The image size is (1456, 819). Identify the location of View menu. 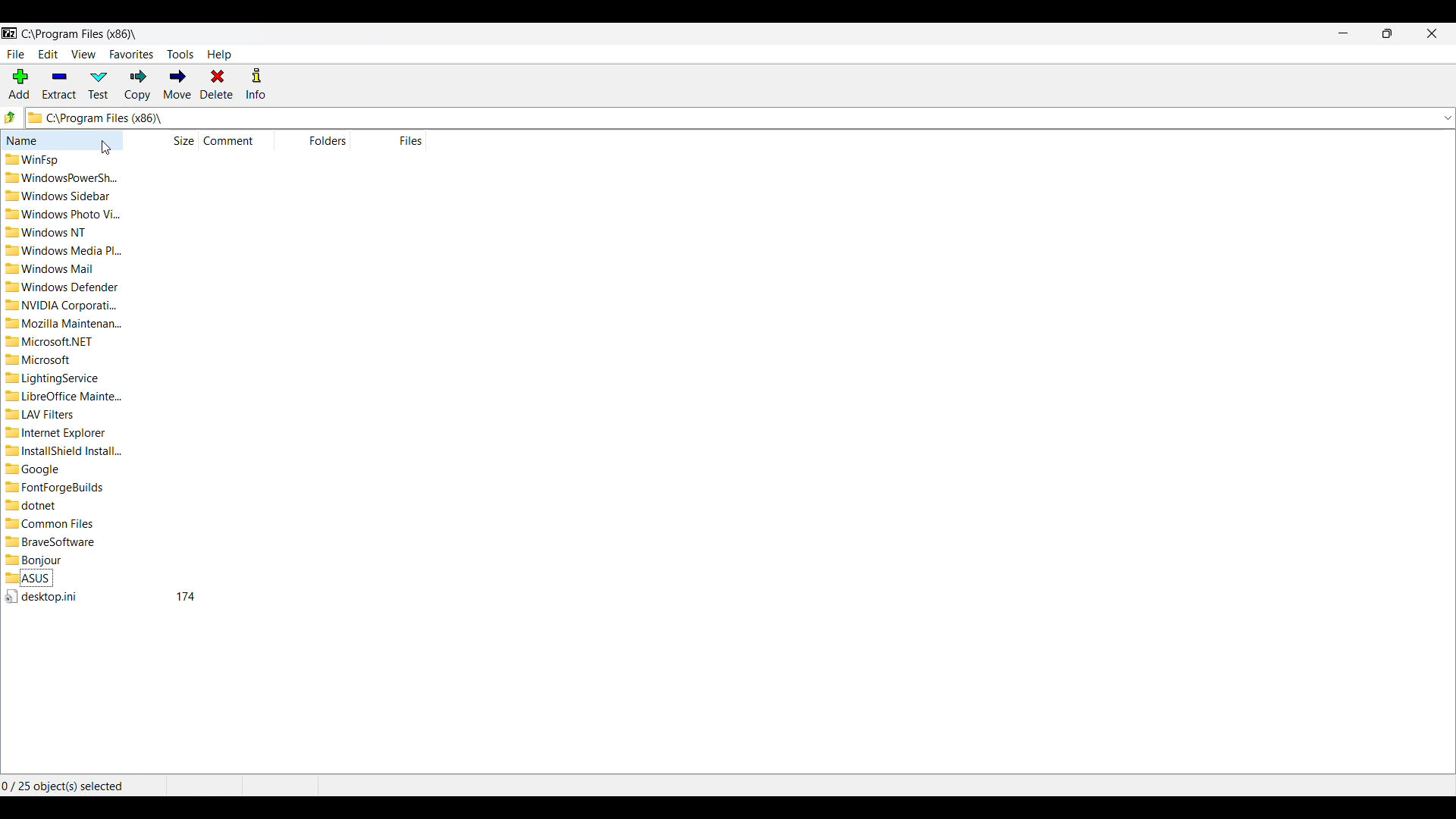
(84, 54).